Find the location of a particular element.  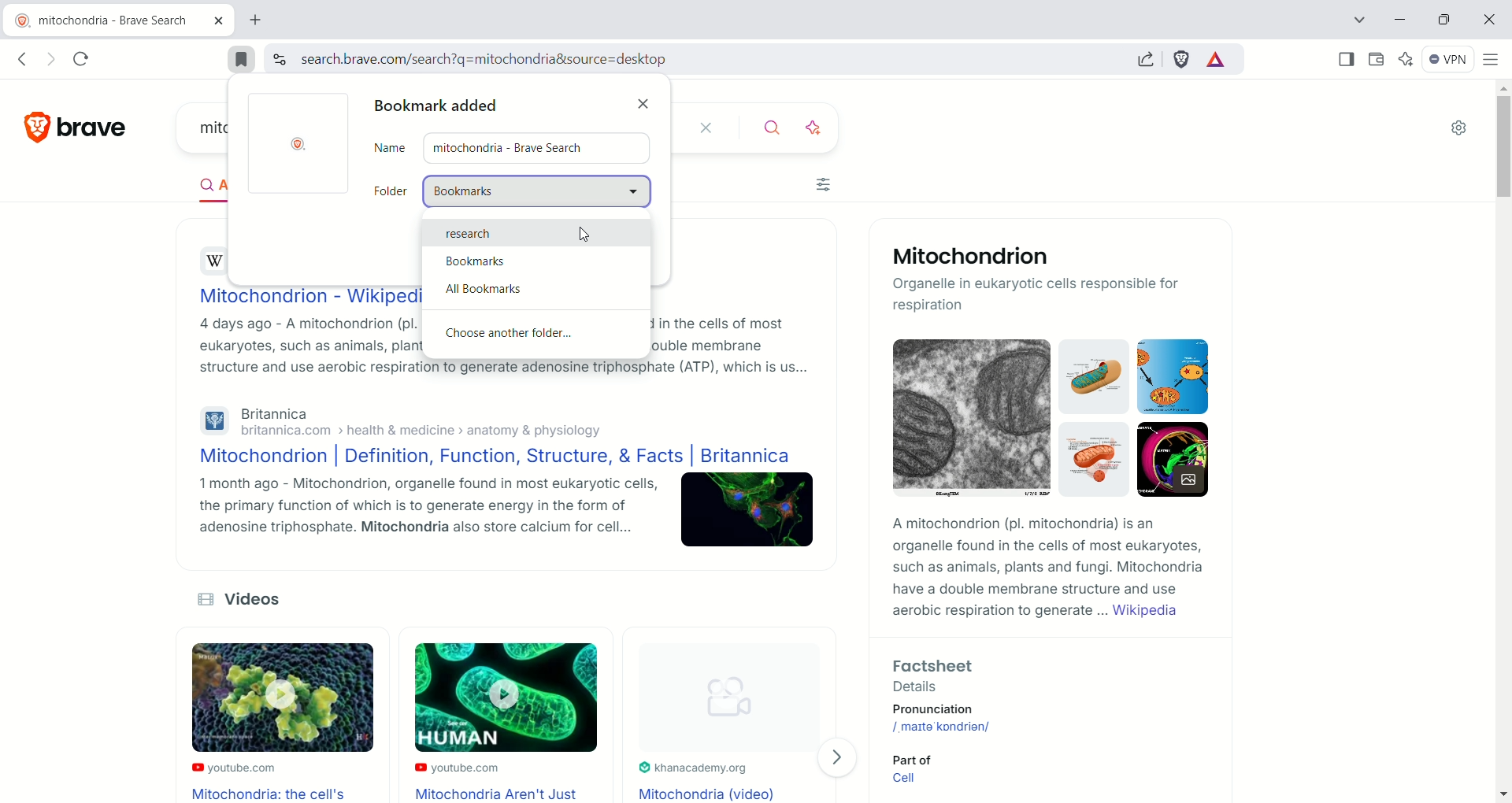

close is located at coordinates (647, 99).